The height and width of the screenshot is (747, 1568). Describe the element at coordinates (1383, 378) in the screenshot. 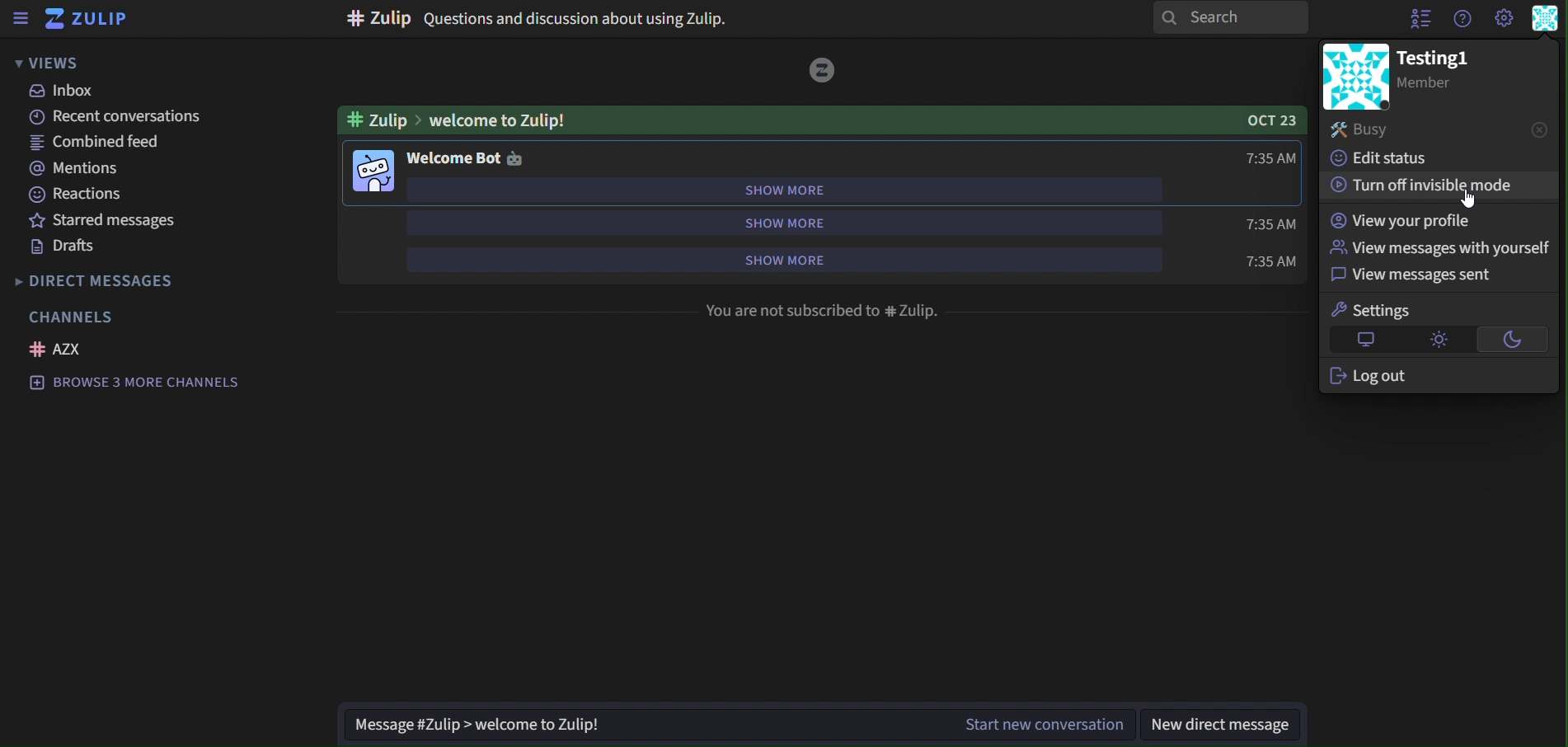

I see `log out` at that location.